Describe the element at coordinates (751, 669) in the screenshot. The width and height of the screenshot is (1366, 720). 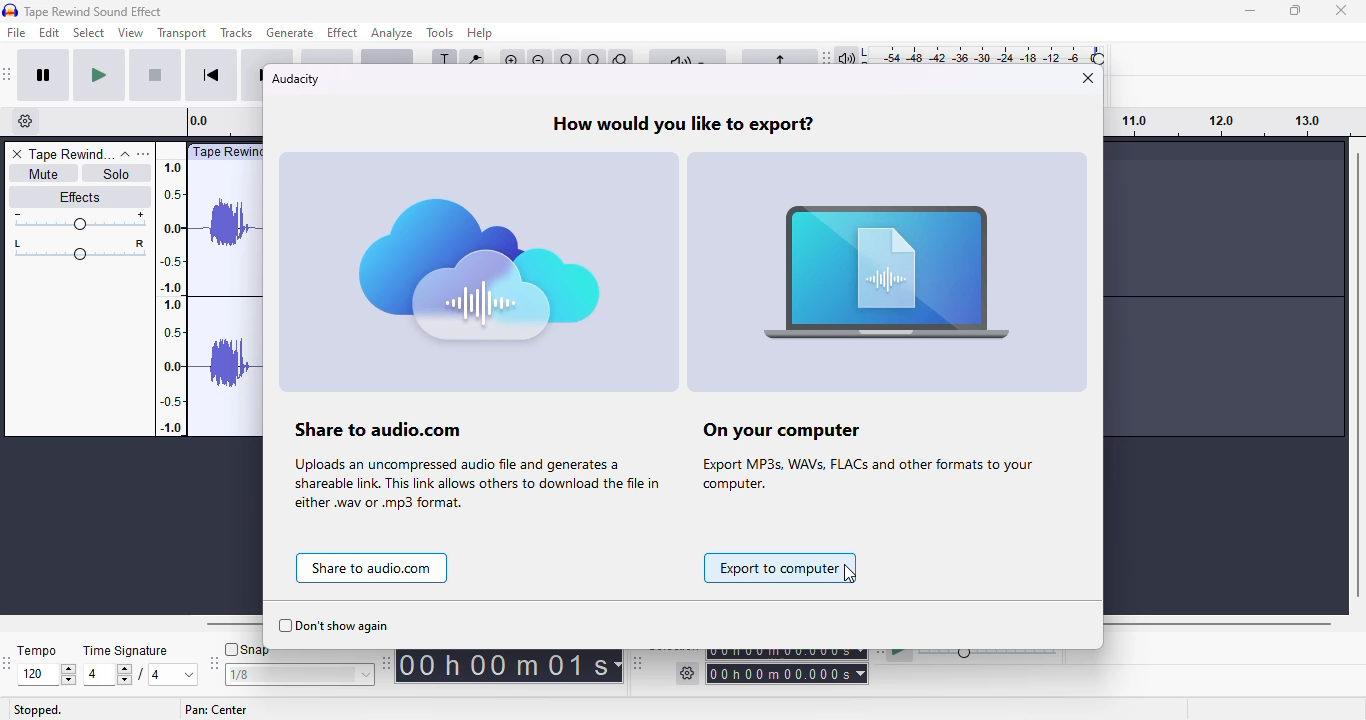
I see `audacity selection toolbar` at that location.